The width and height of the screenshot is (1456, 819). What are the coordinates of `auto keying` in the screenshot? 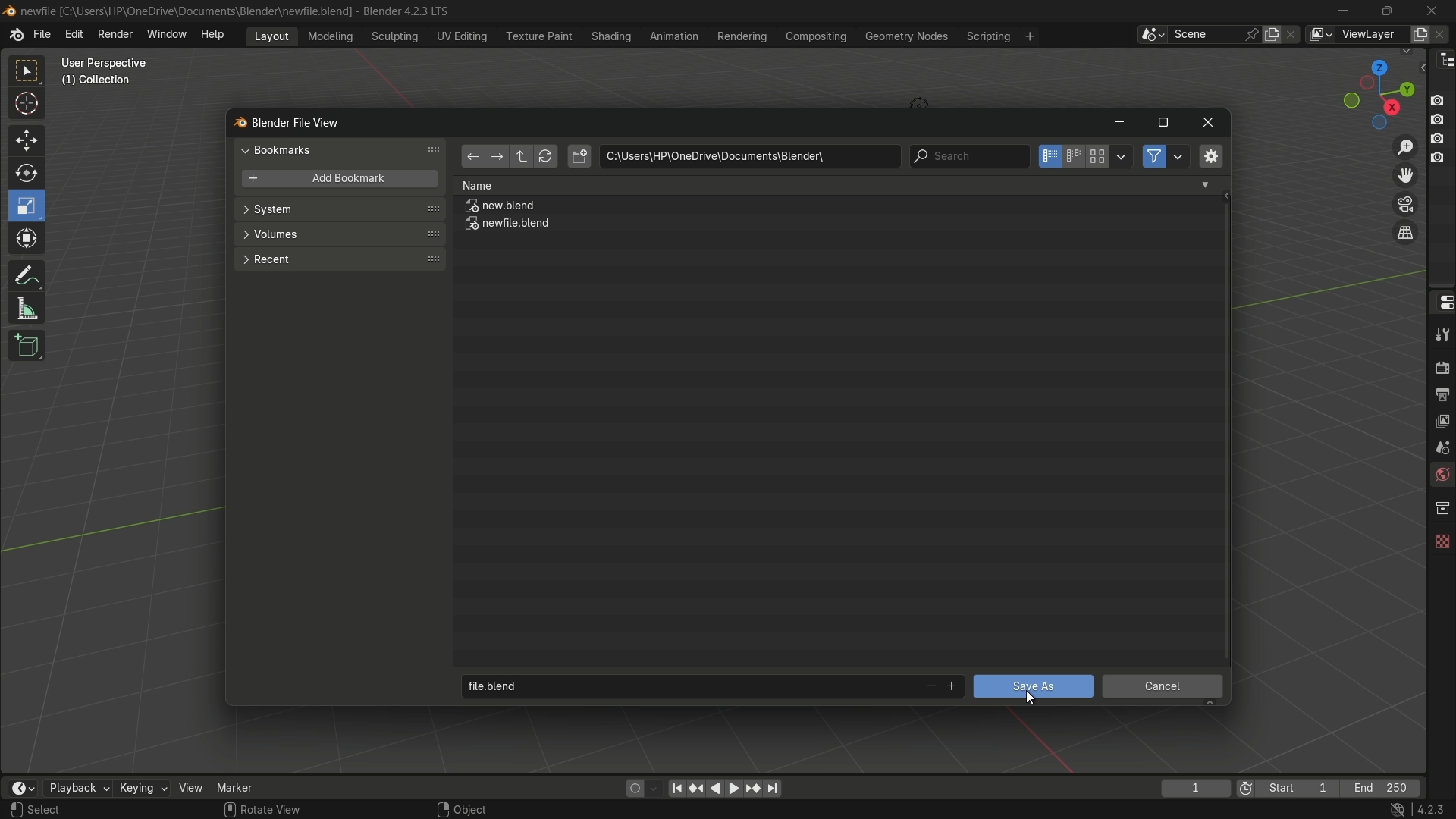 It's located at (631, 787).